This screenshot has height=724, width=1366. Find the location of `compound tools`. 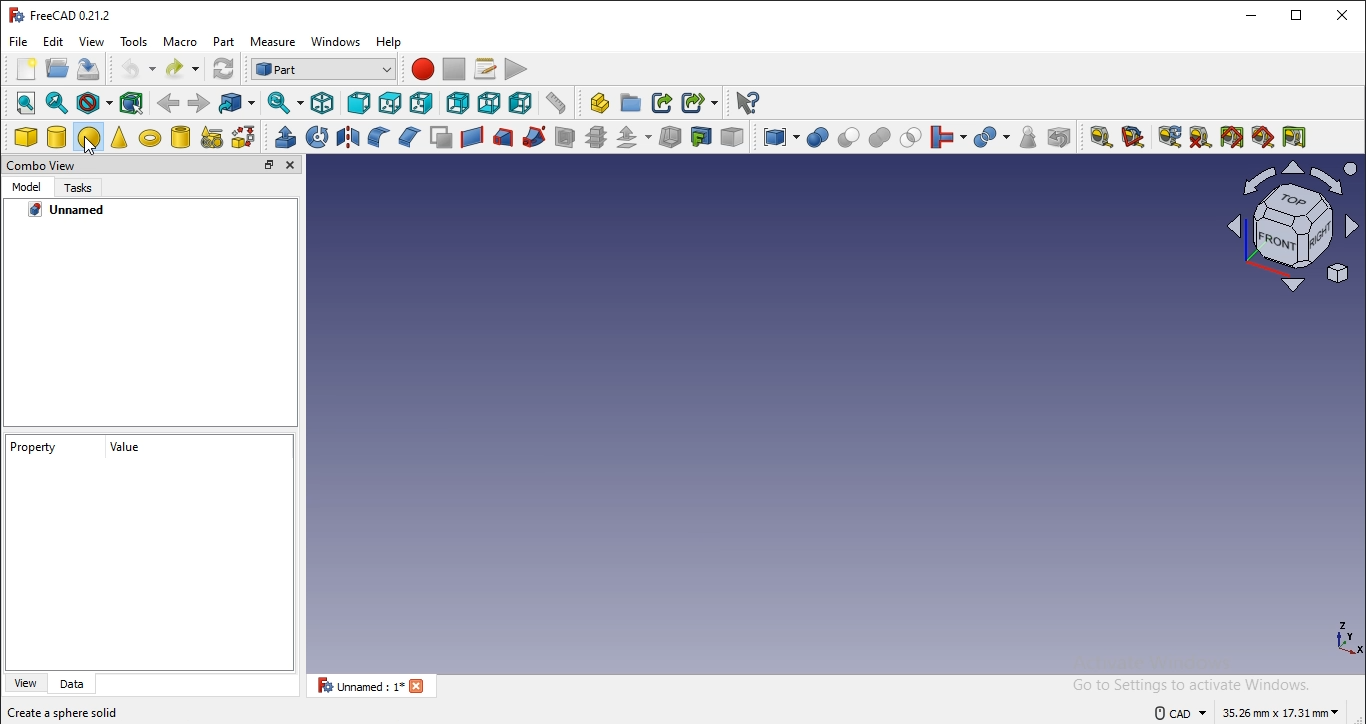

compound tools is located at coordinates (775, 138).